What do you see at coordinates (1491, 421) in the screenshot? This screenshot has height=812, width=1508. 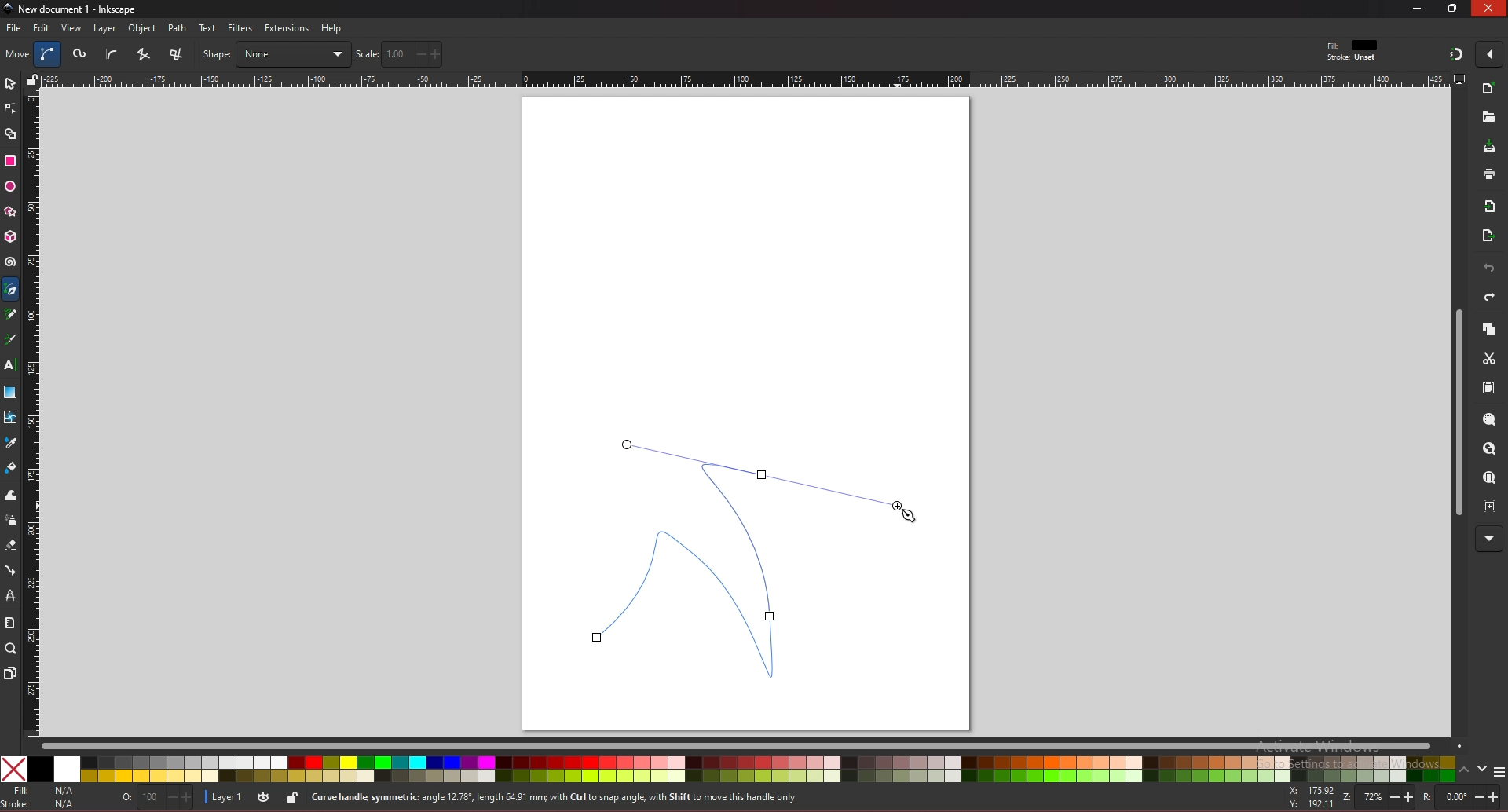 I see `zoom selection` at bounding box center [1491, 421].